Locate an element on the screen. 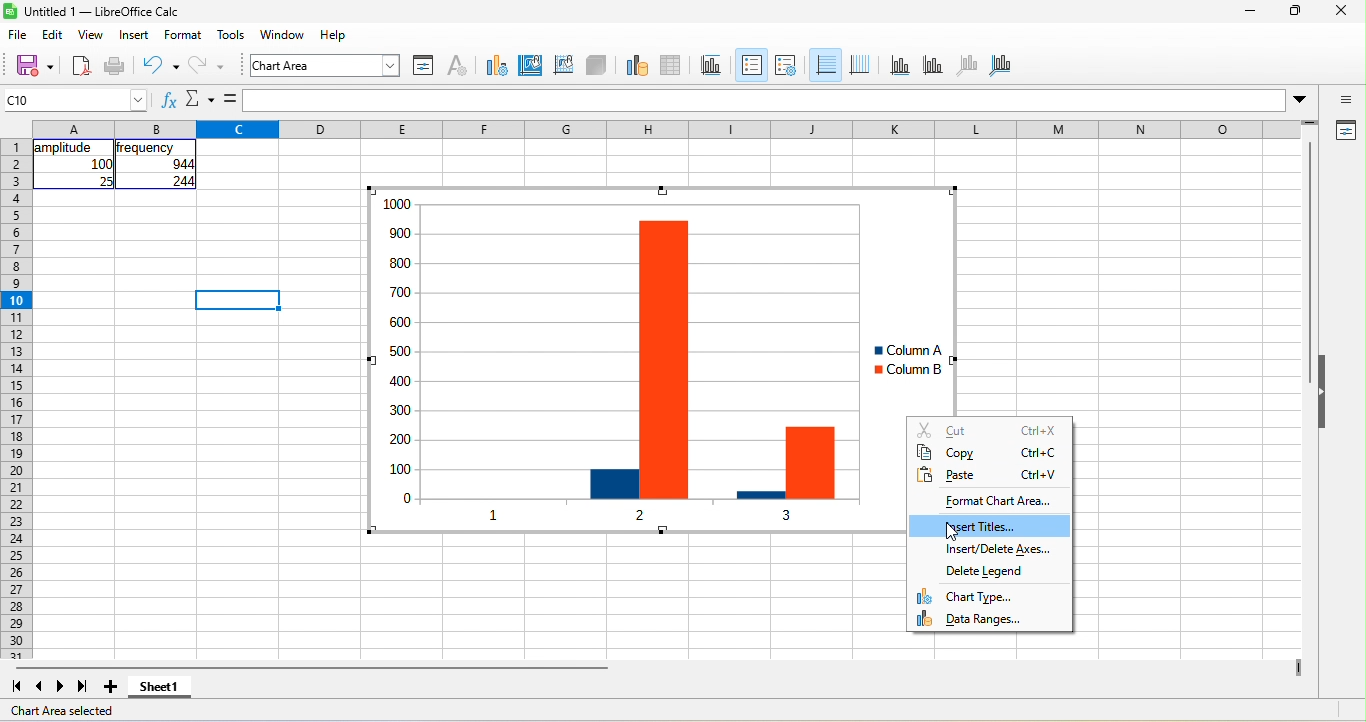 Image resolution: width=1366 pixels, height=722 pixels. view is located at coordinates (92, 34).